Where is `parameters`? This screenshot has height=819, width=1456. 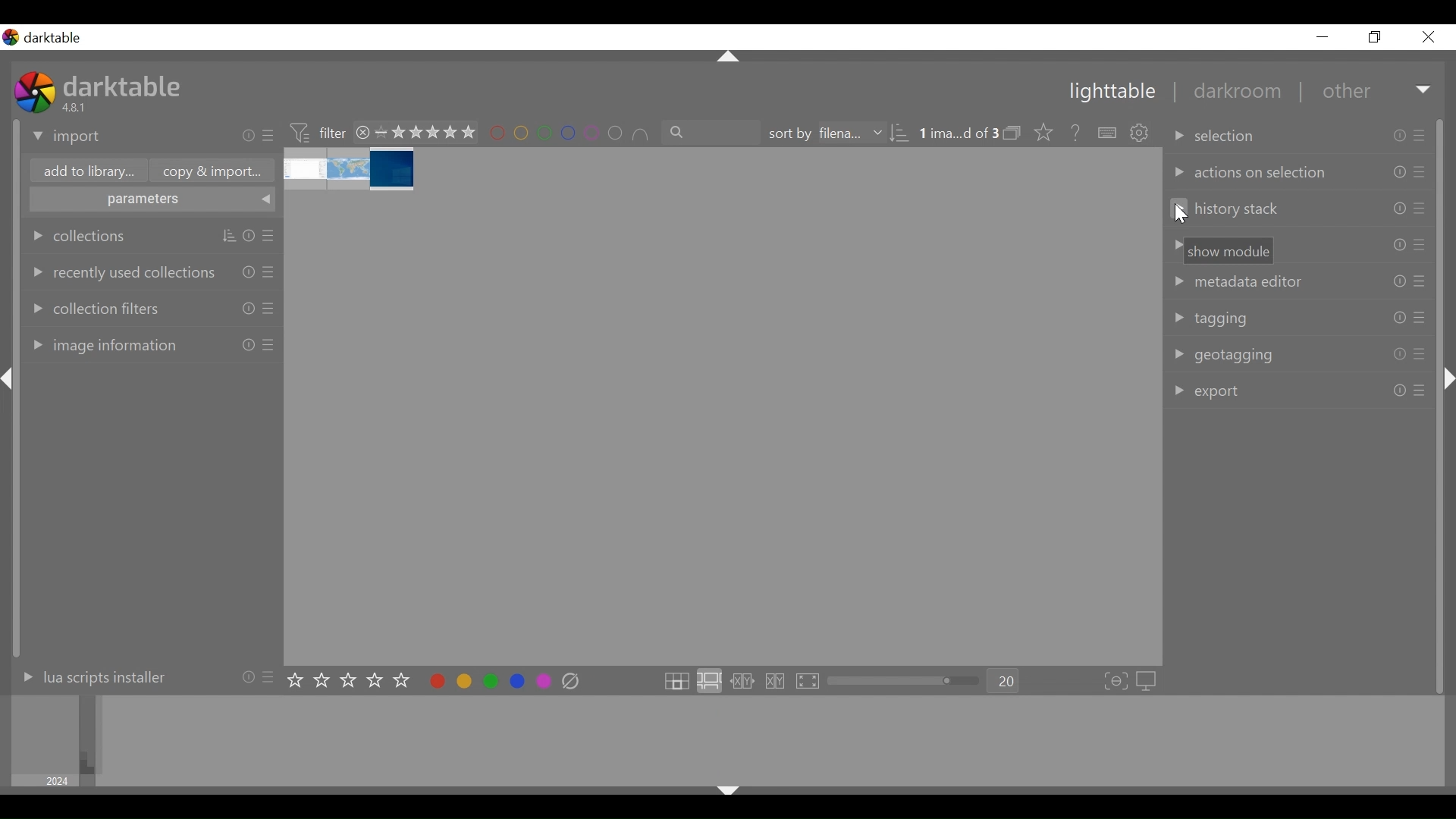 parameters is located at coordinates (153, 201).